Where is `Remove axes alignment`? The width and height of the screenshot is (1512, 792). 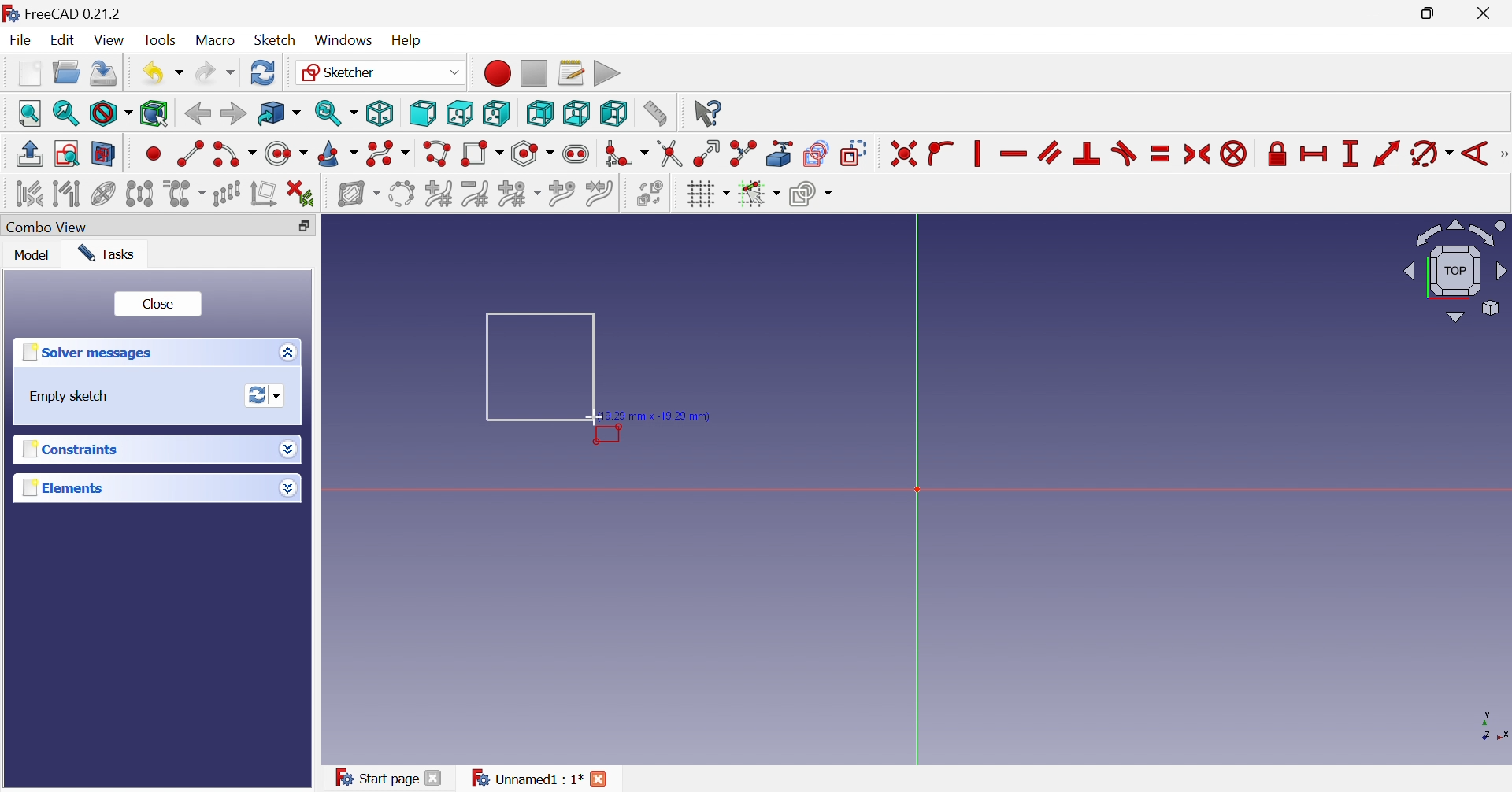
Remove axes alignment is located at coordinates (265, 195).